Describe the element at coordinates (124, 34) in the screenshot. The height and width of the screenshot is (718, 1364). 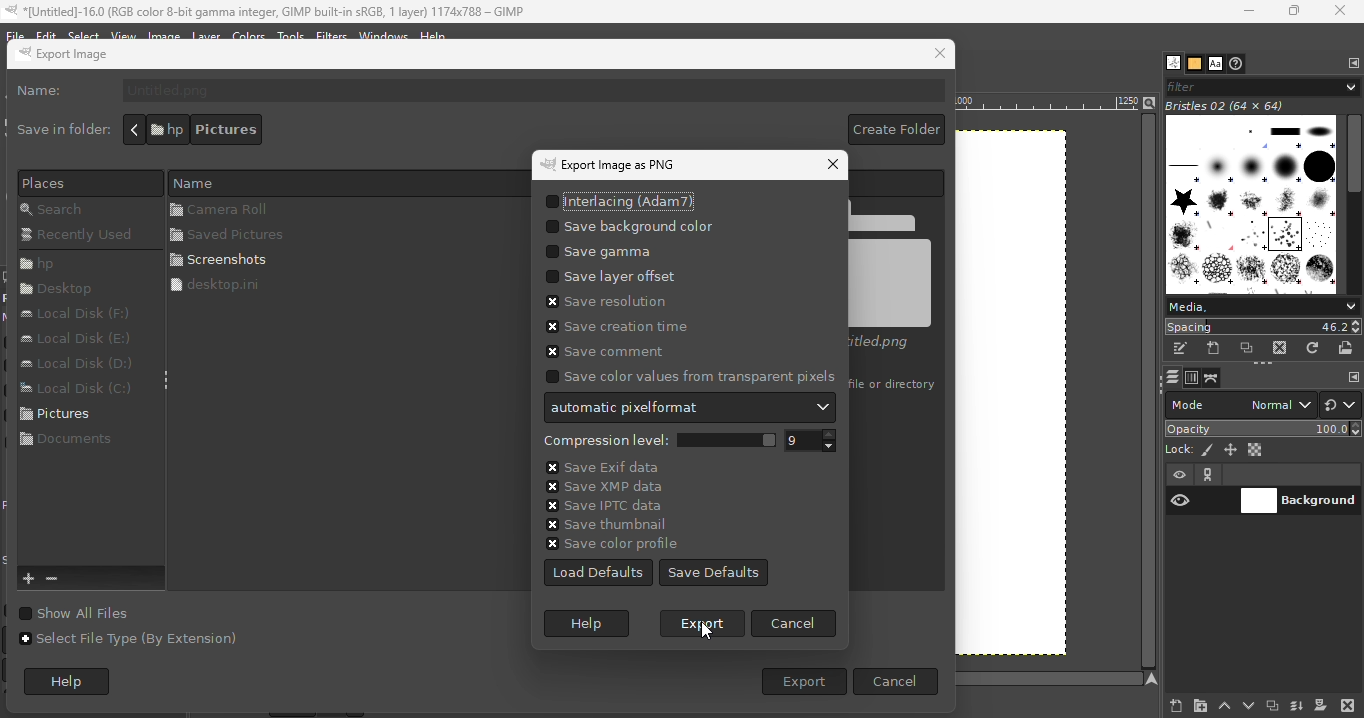
I see `View` at that location.